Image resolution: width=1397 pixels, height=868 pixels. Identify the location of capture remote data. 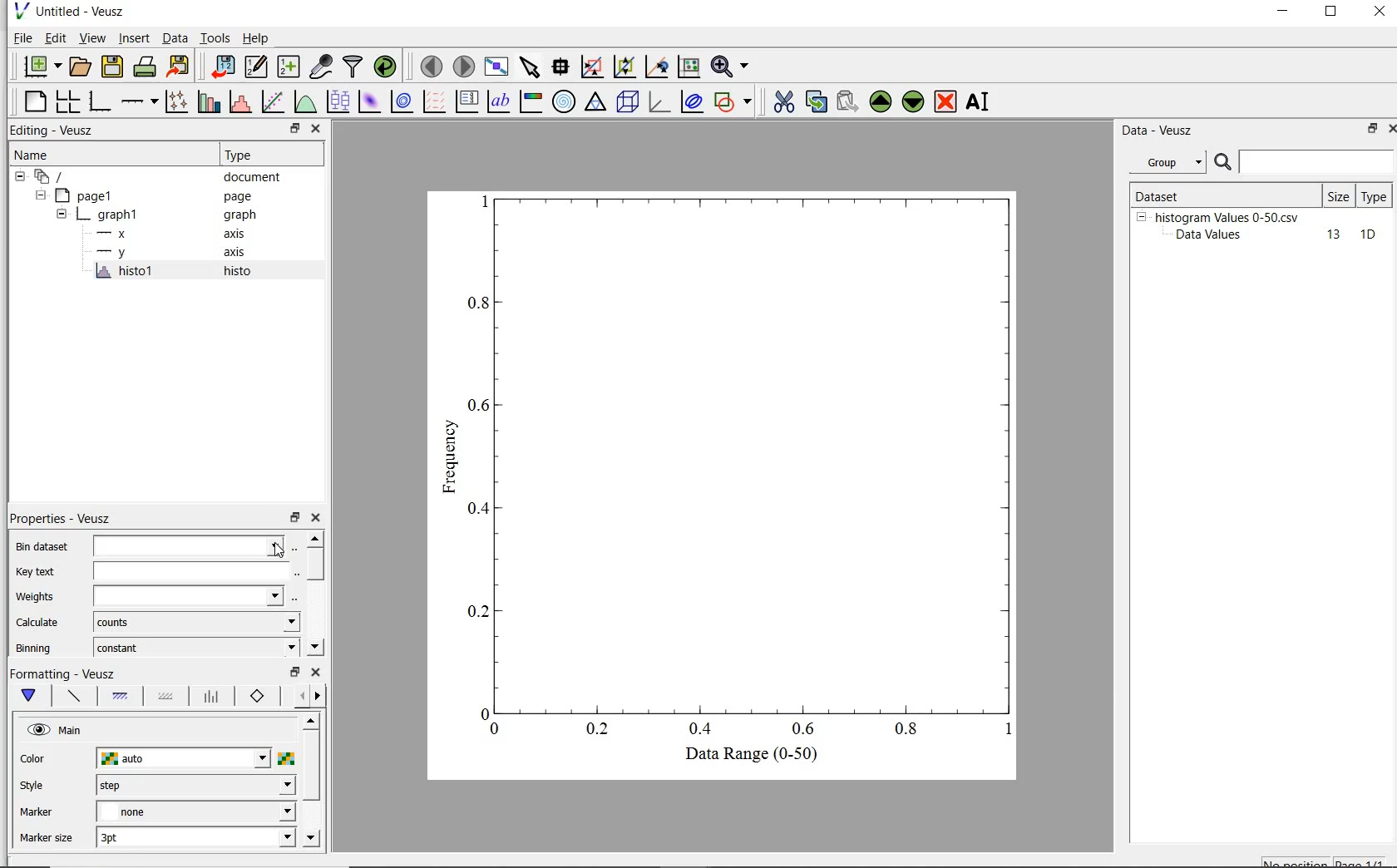
(321, 67).